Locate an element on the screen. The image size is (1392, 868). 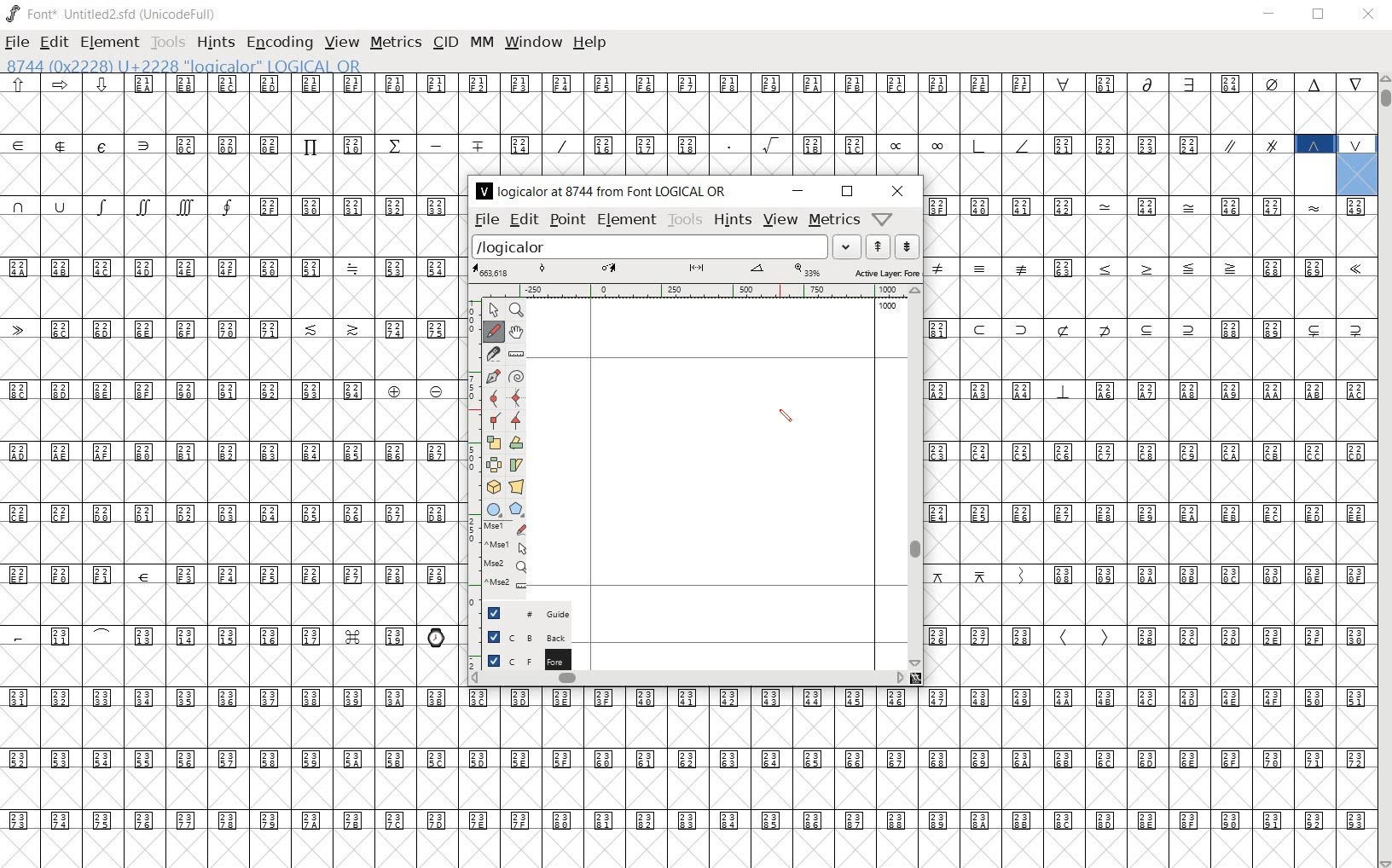
foreground layer is located at coordinates (519, 659).